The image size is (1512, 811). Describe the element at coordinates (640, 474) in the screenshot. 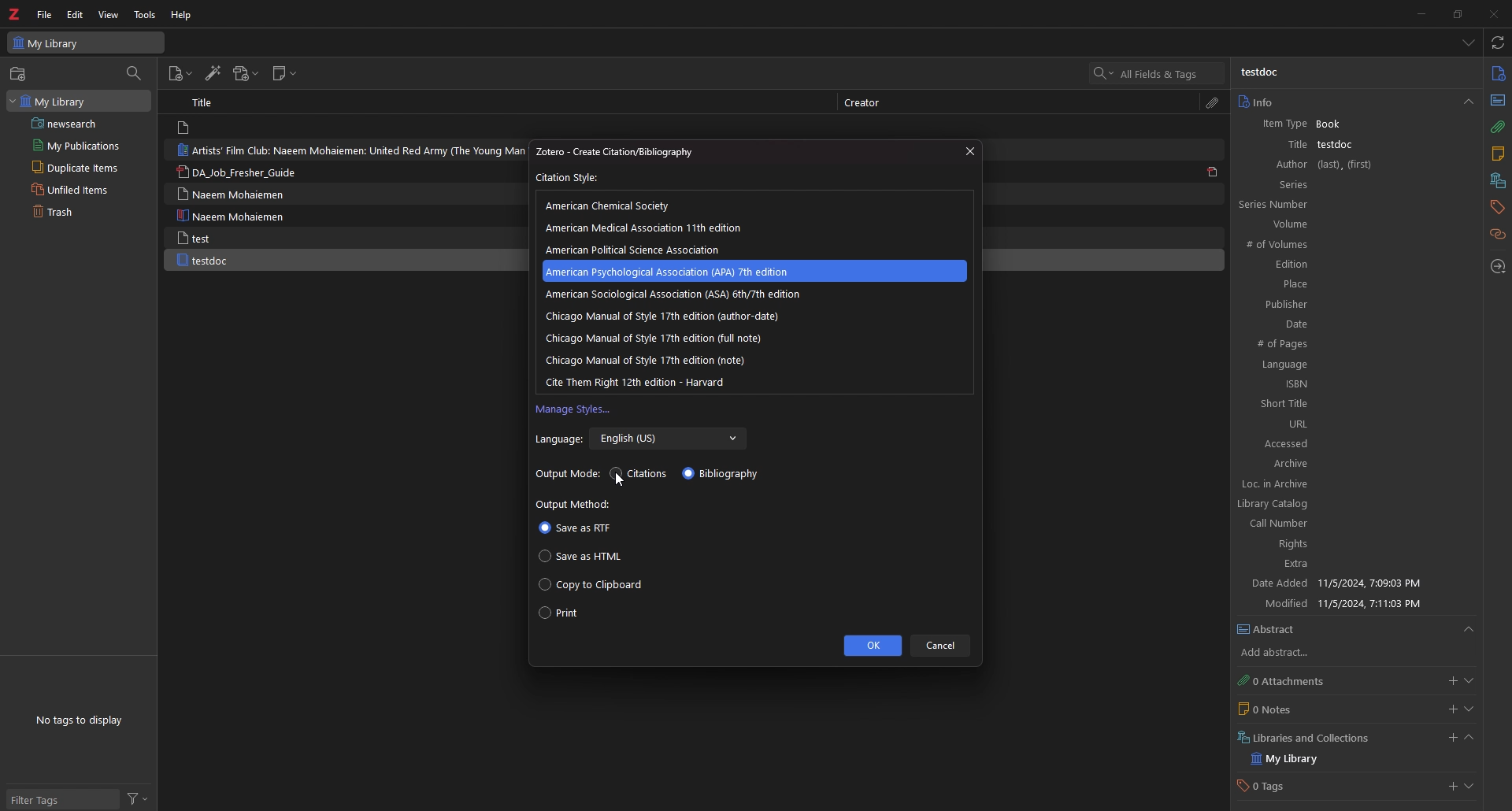

I see `citations` at that location.